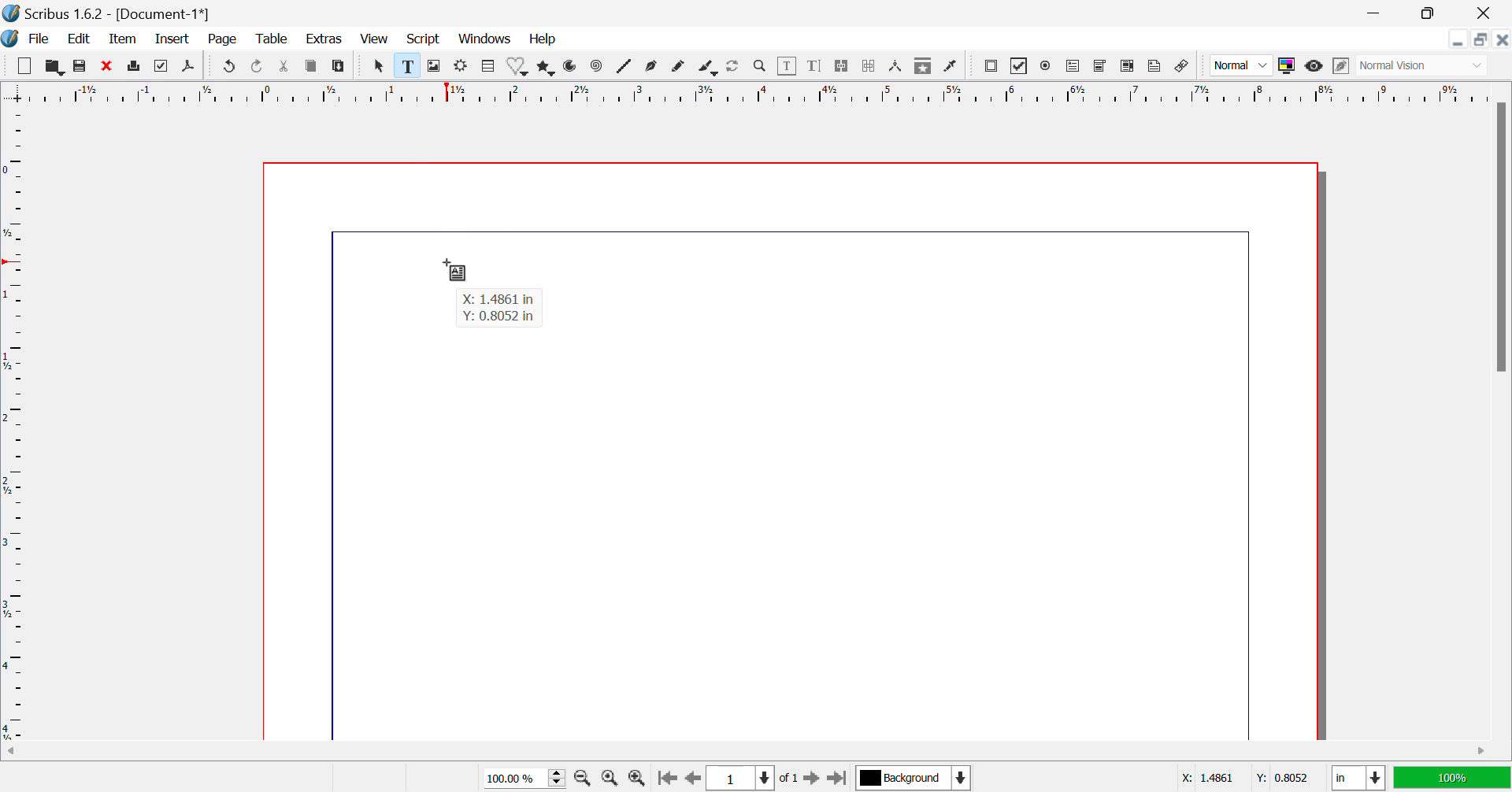 Image resolution: width=1512 pixels, height=792 pixels. What do you see at coordinates (1048, 66) in the screenshot?
I see `Pdf Radio button` at bounding box center [1048, 66].